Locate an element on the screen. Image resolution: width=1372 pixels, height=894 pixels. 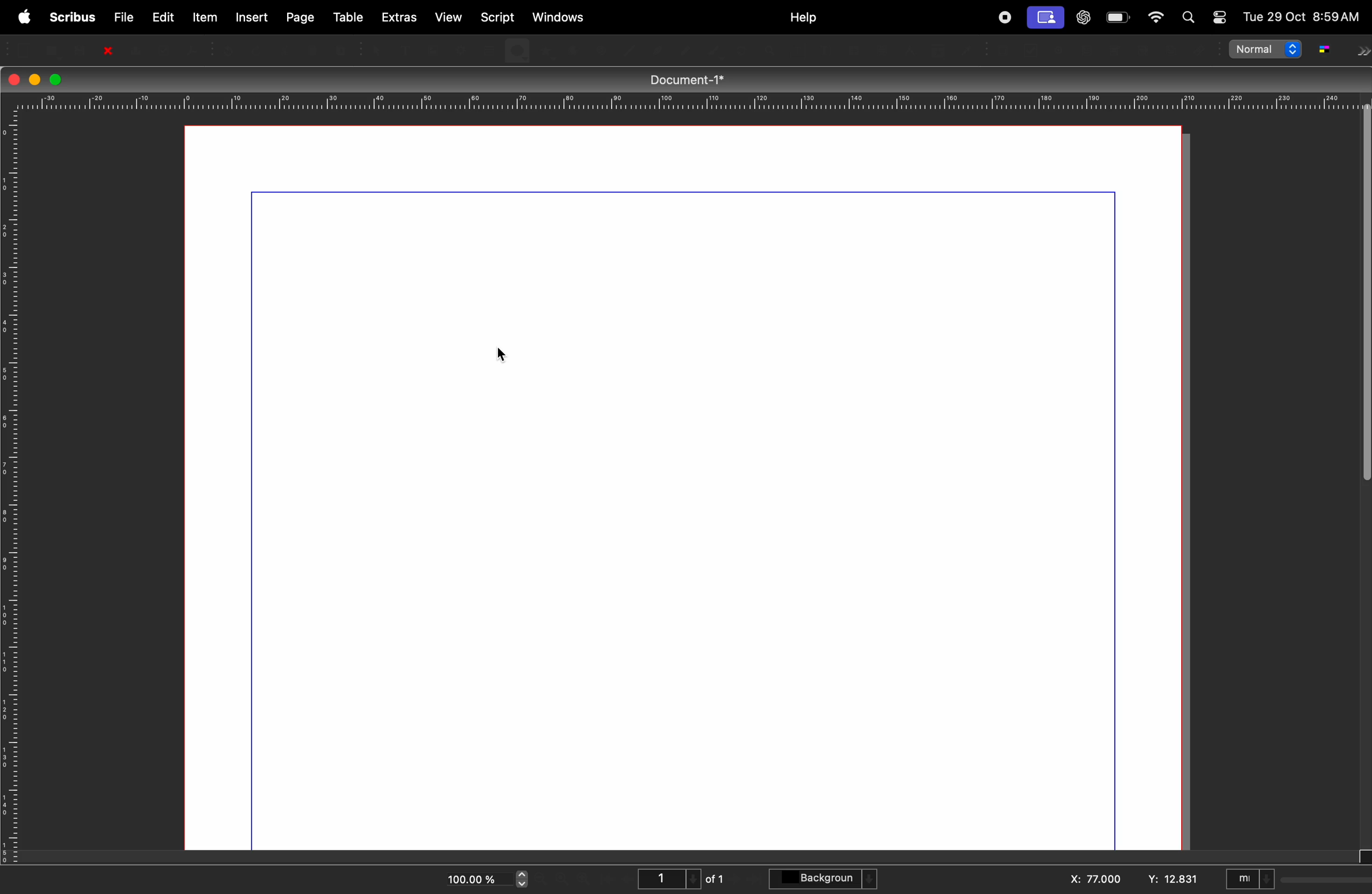
zoom in and out is located at coordinates (523, 880).